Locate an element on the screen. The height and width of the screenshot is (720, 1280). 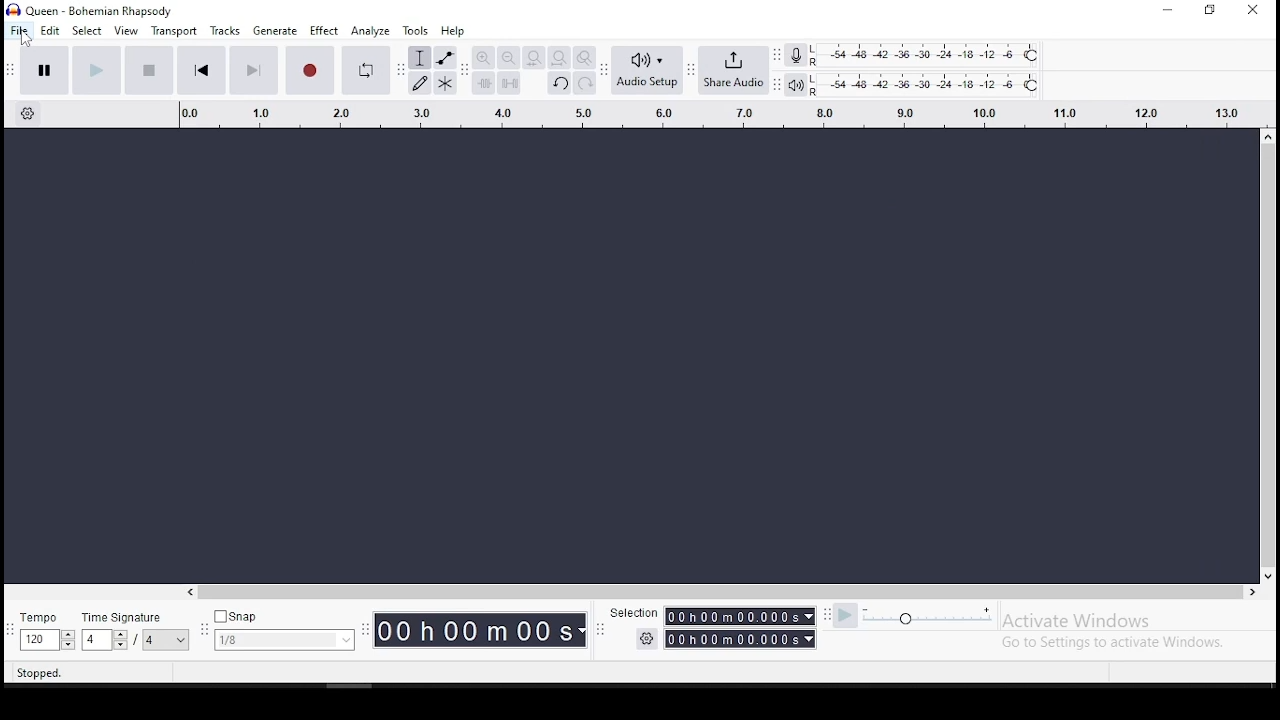
00h00M00s is located at coordinates (480, 630).